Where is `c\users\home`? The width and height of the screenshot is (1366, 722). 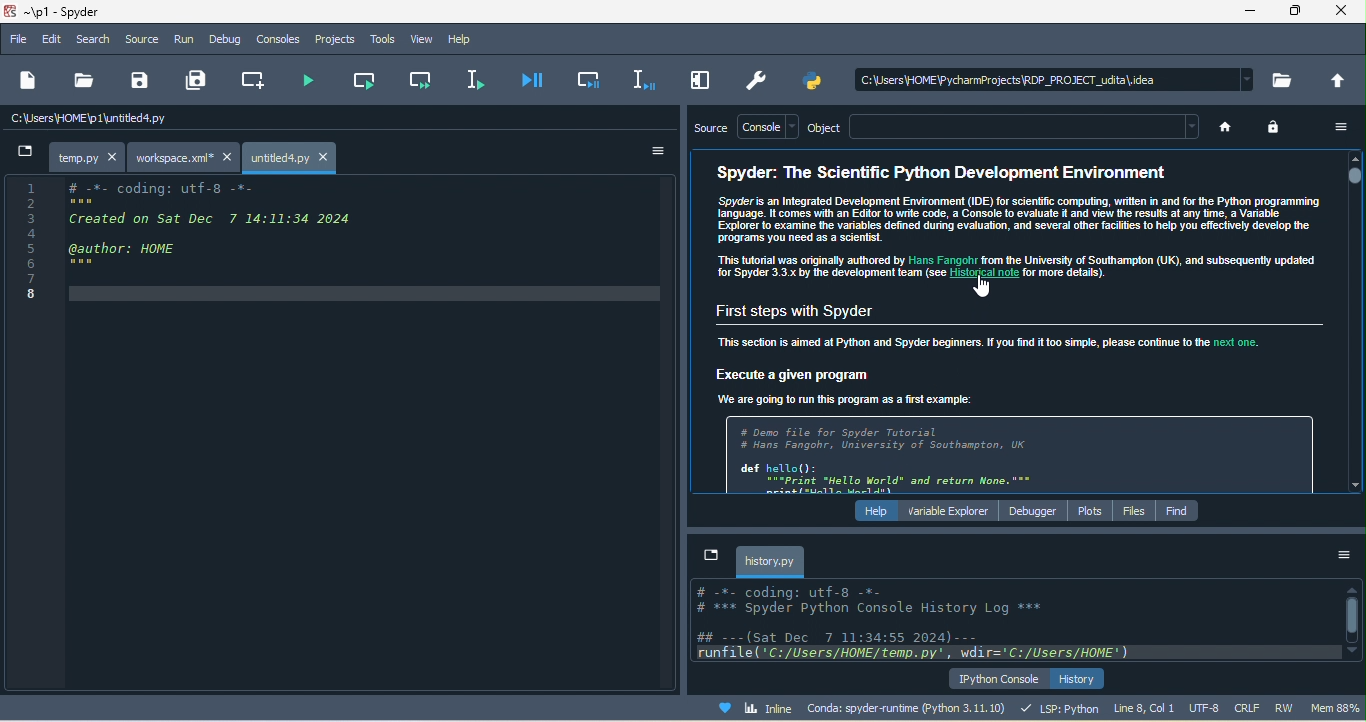
c\users\home is located at coordinates (202, 119).